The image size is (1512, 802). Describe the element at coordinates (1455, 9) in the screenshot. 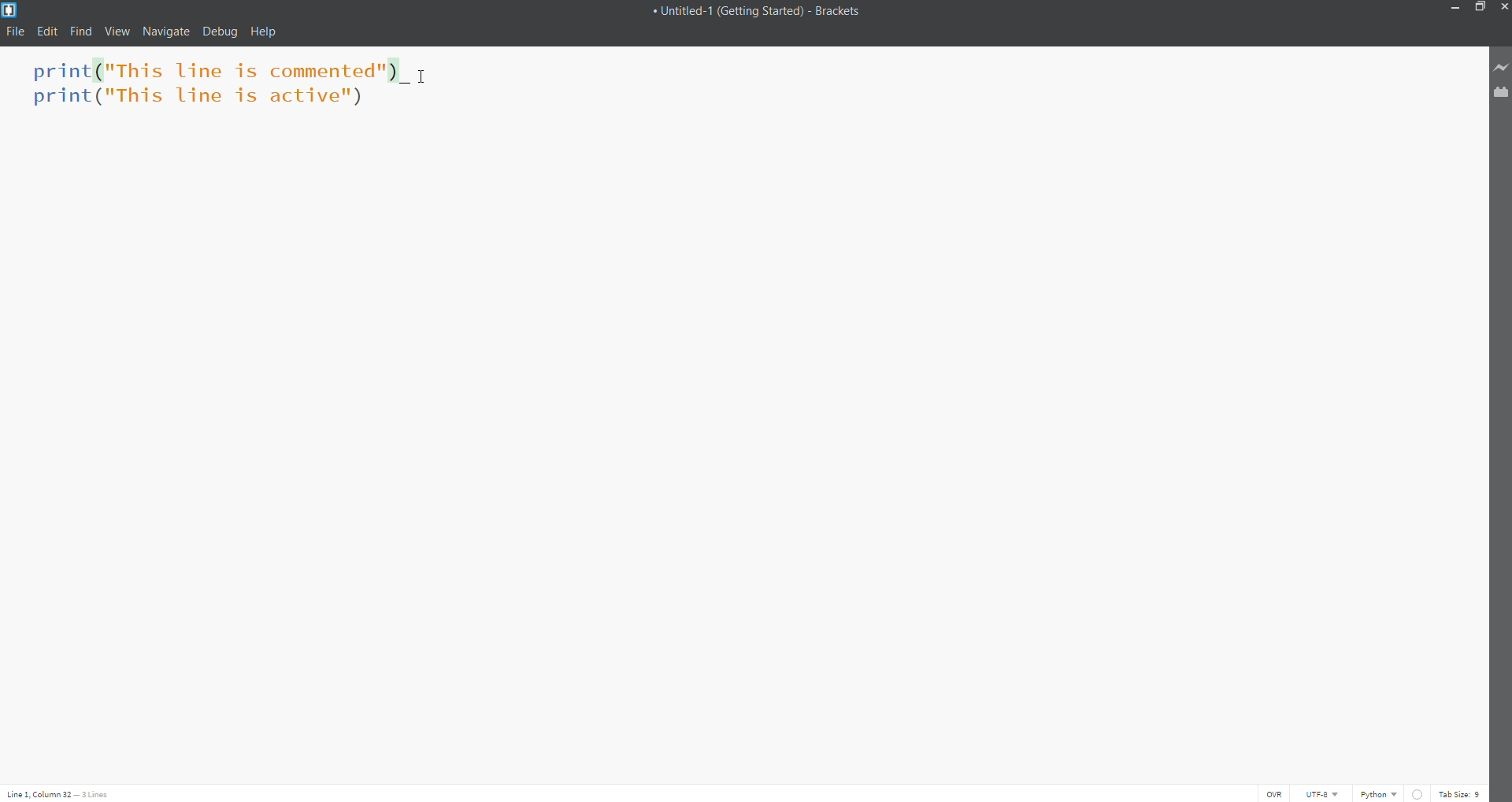

I see `Minimize` at that location.